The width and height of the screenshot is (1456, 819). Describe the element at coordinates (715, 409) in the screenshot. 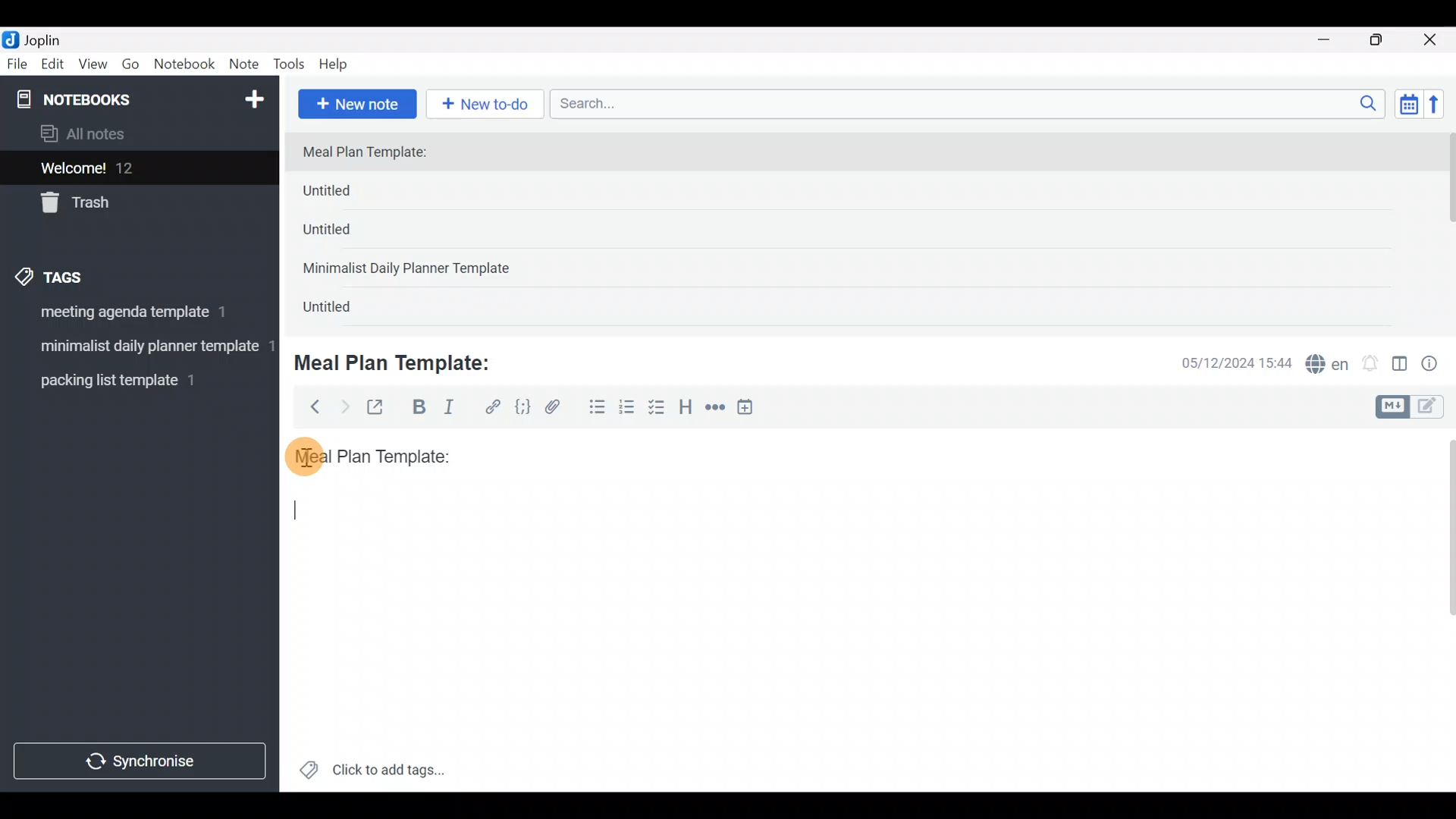

I see `Horizontal rule` at that location.